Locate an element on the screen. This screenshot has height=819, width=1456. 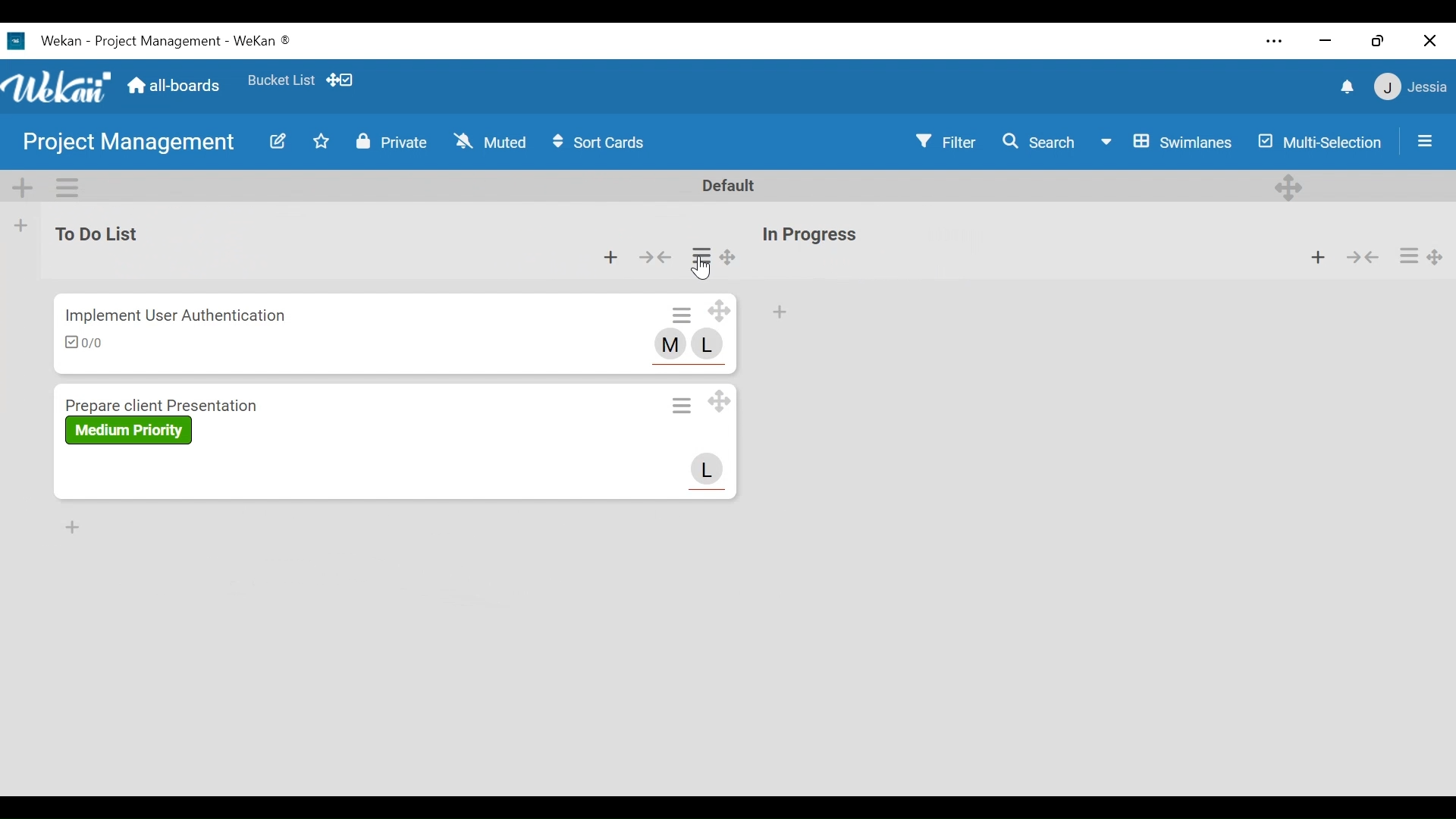
list is located at coordinates (968, 246).